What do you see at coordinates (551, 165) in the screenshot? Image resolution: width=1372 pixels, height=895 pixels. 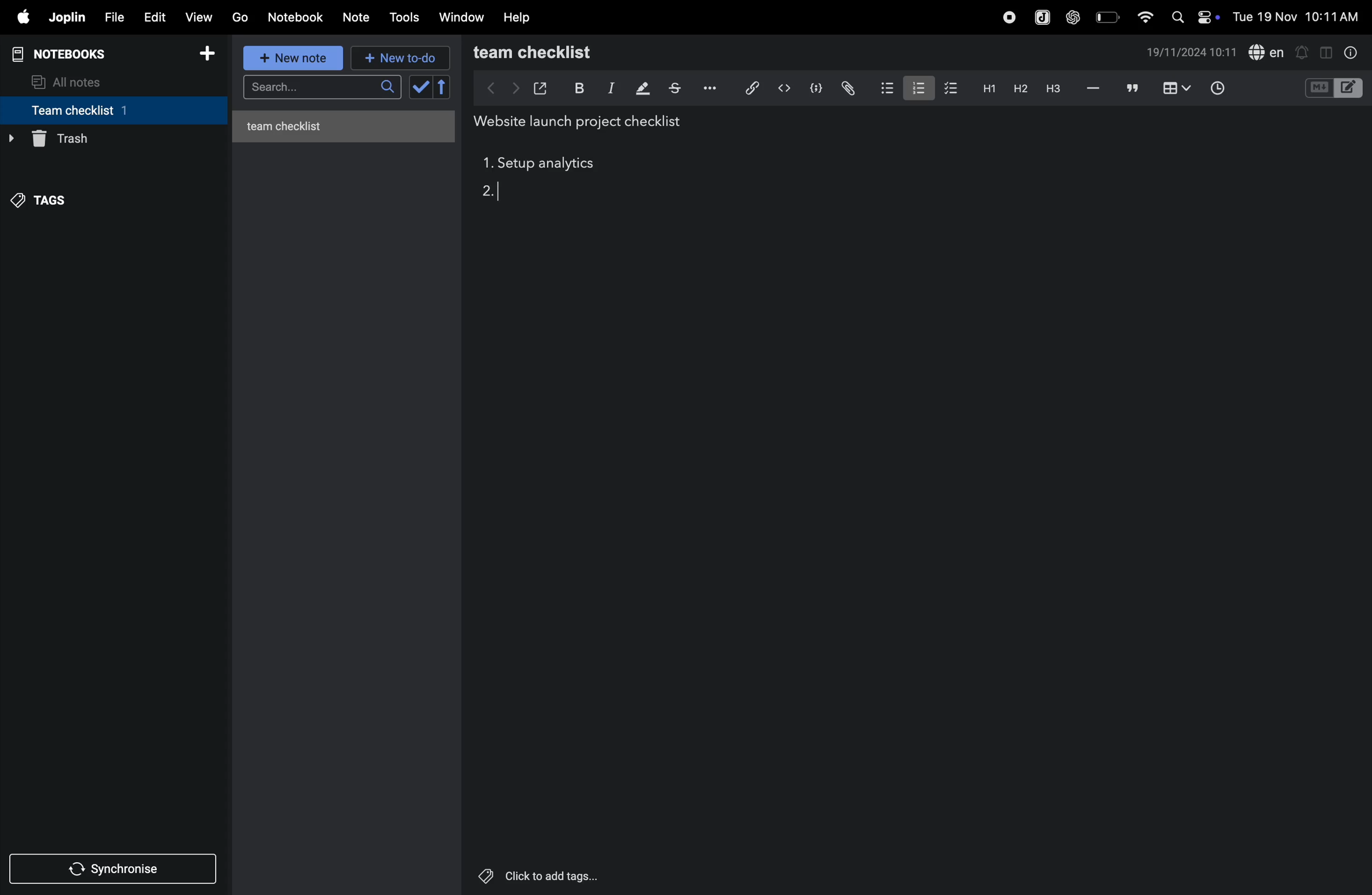 I see `setup analytics` at bounding box center [551, 165].